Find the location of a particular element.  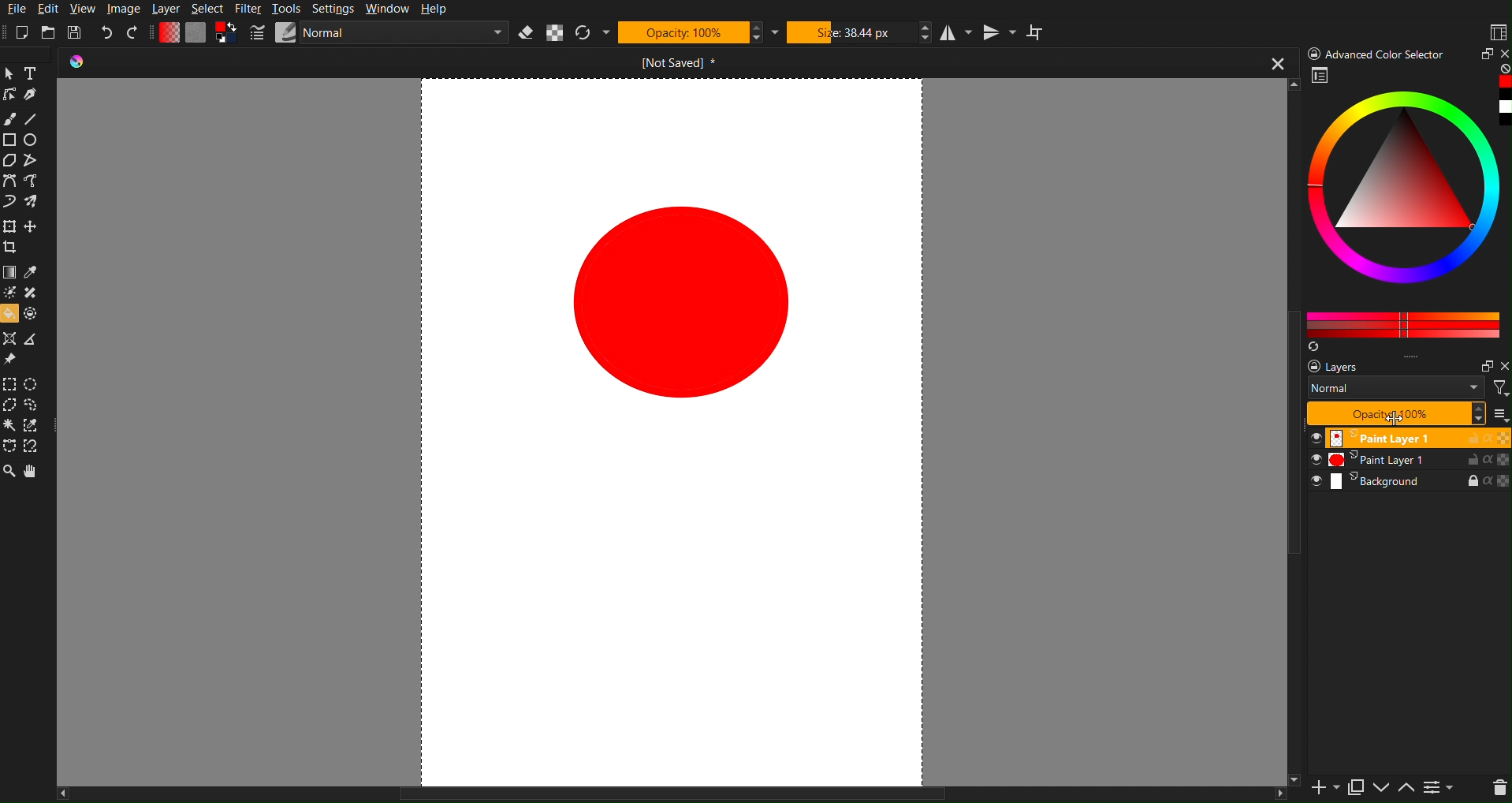

Add is located at coordinates (1324, 790).